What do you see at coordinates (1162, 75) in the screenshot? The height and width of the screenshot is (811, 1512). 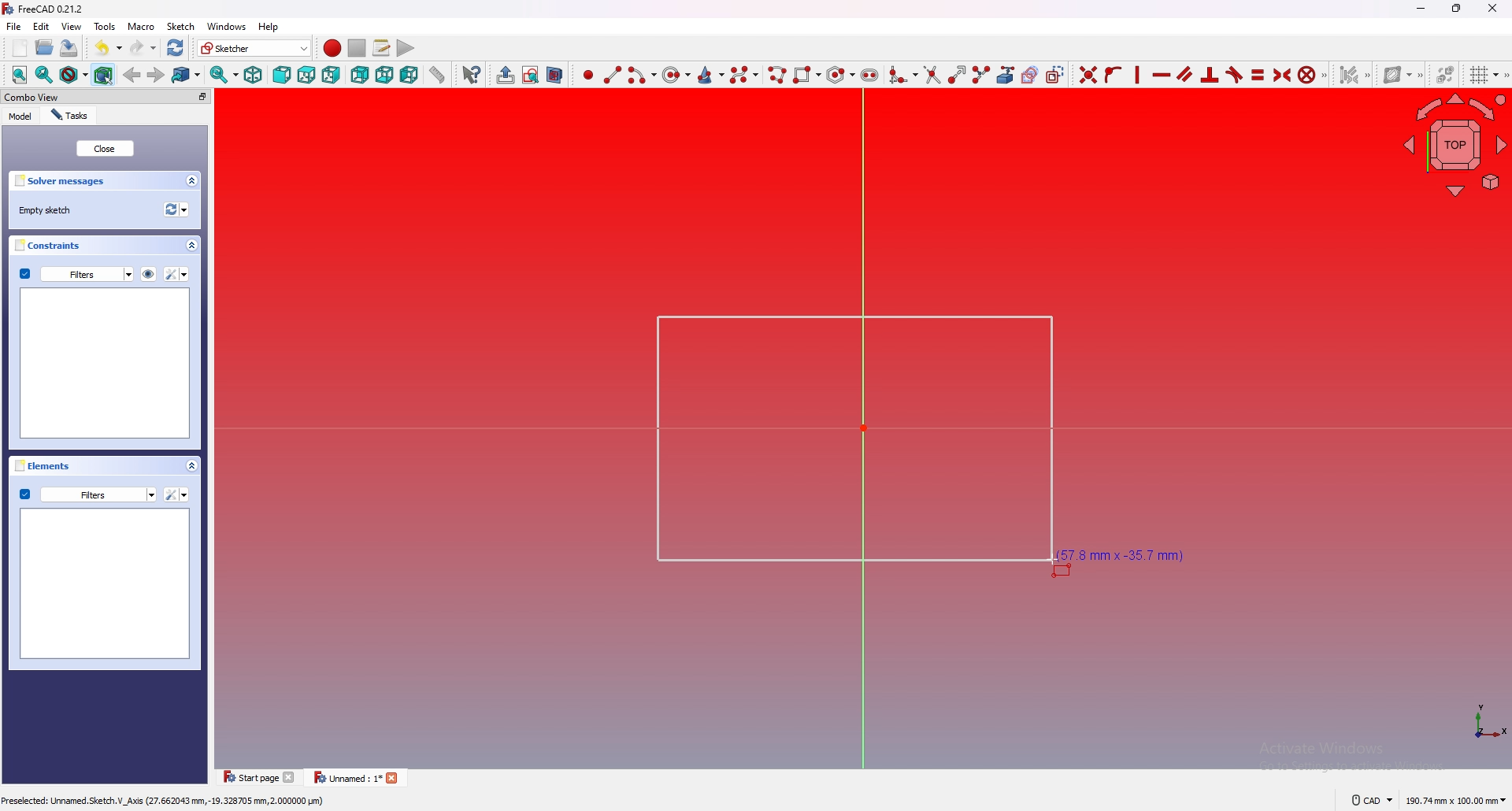 I see `constraint vertically` at bounding box center [1162, 75].